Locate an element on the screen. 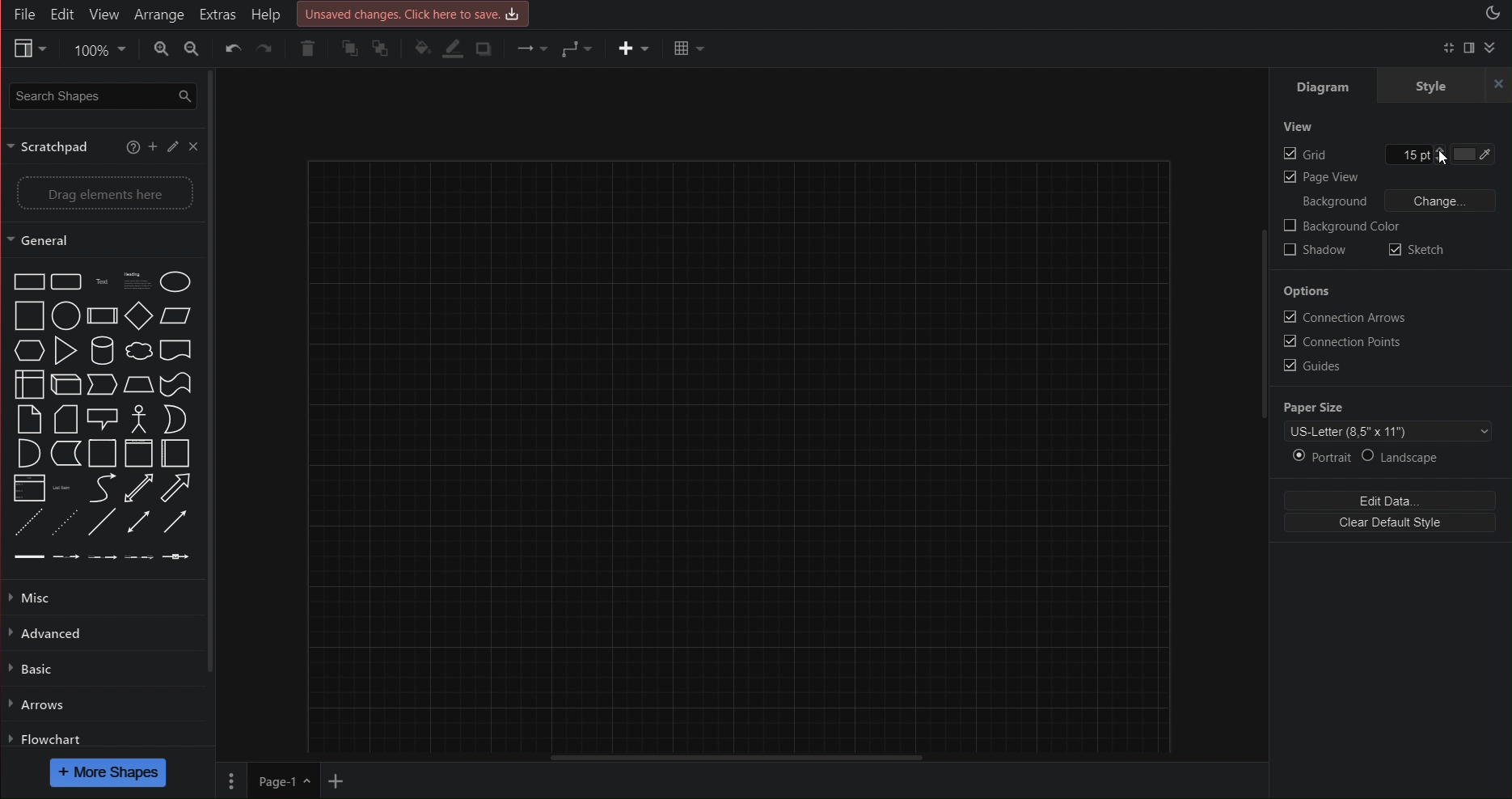 The height and width of the screenshot is (799, 1512). Format is located at coordinates (1470, 48).